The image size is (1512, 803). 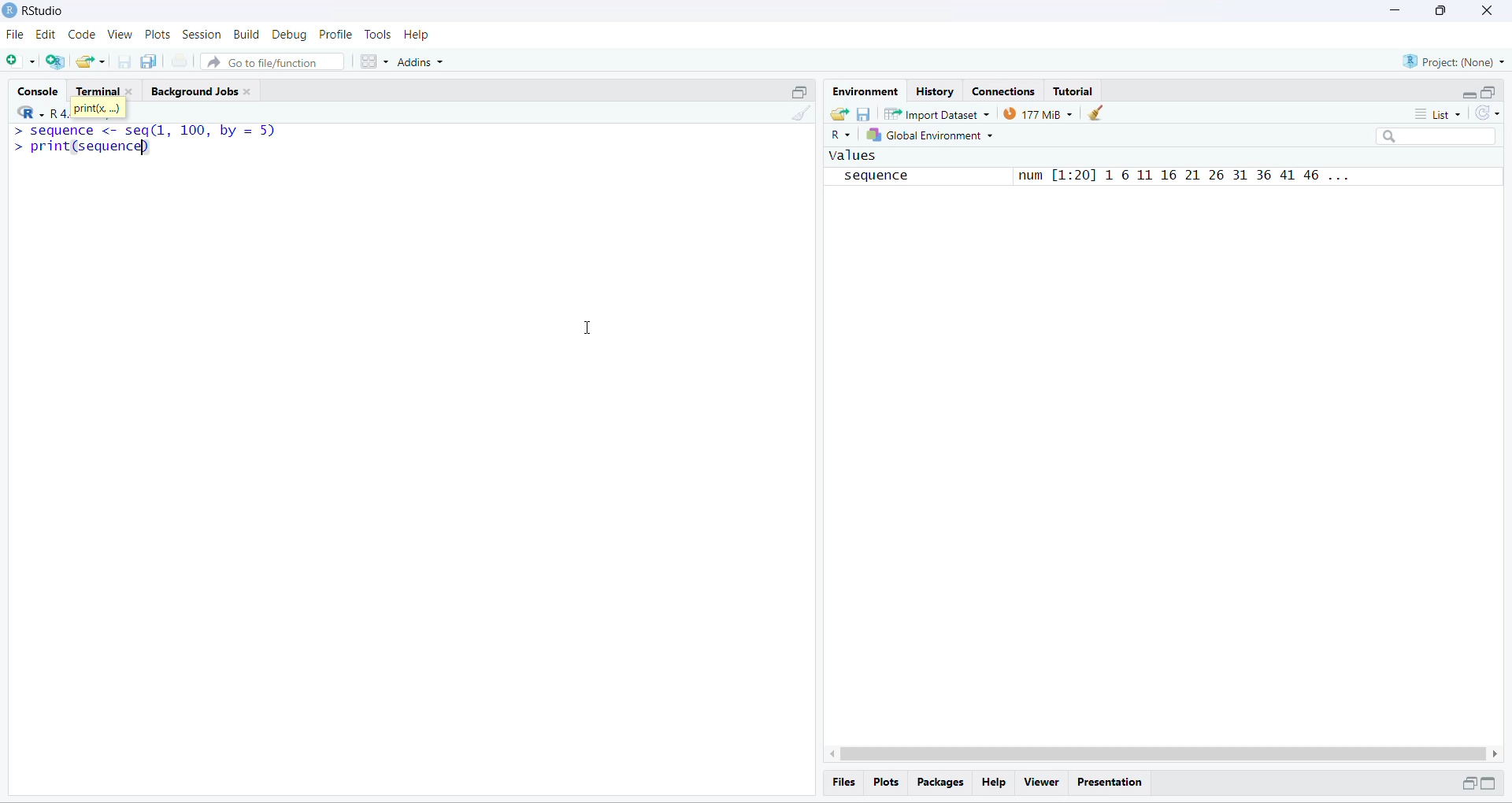 What do you see at coordinates (423, 62) in the screenshot?
I see `addins` at bounding box center [423, 62].